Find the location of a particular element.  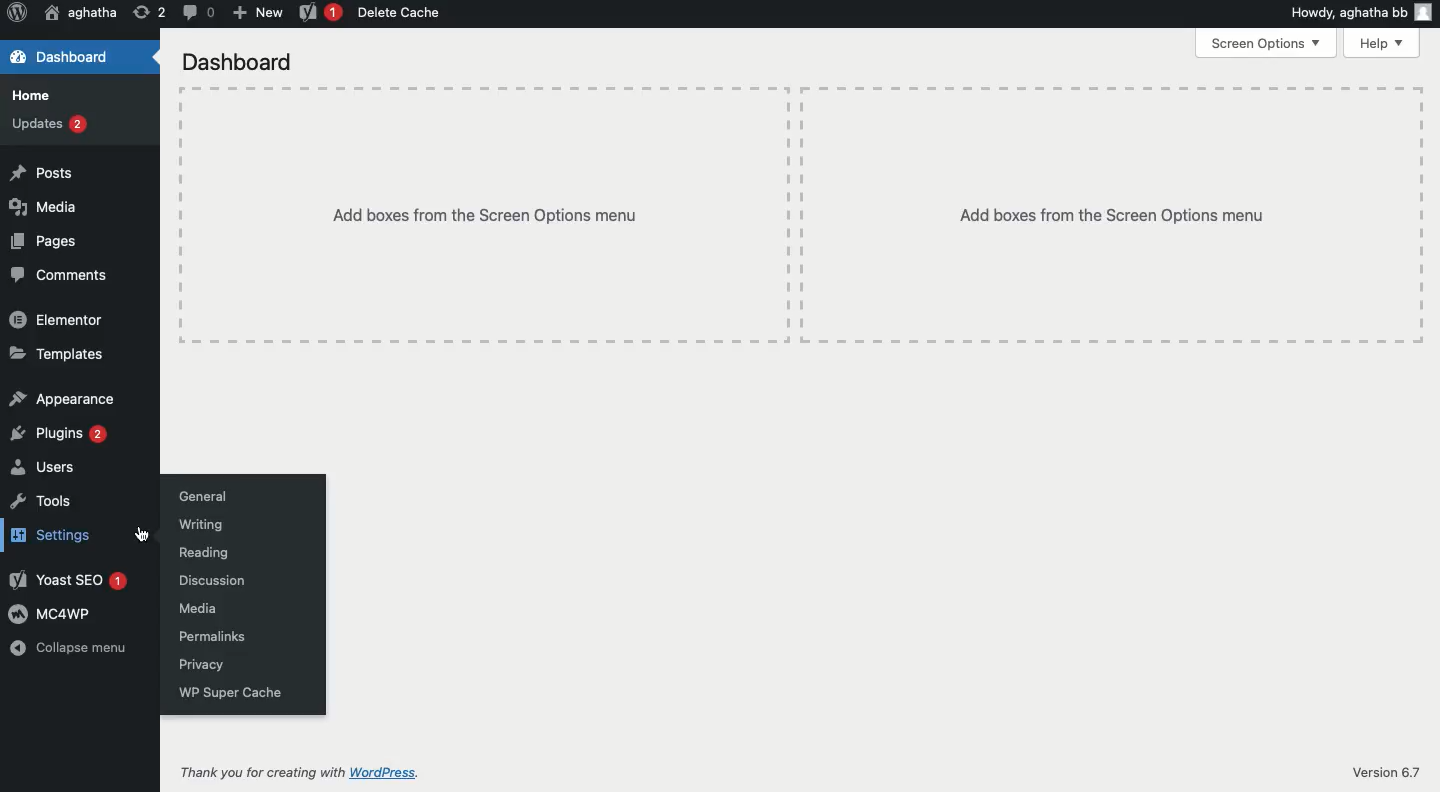

Privacy is located at coordinates (197, 666).